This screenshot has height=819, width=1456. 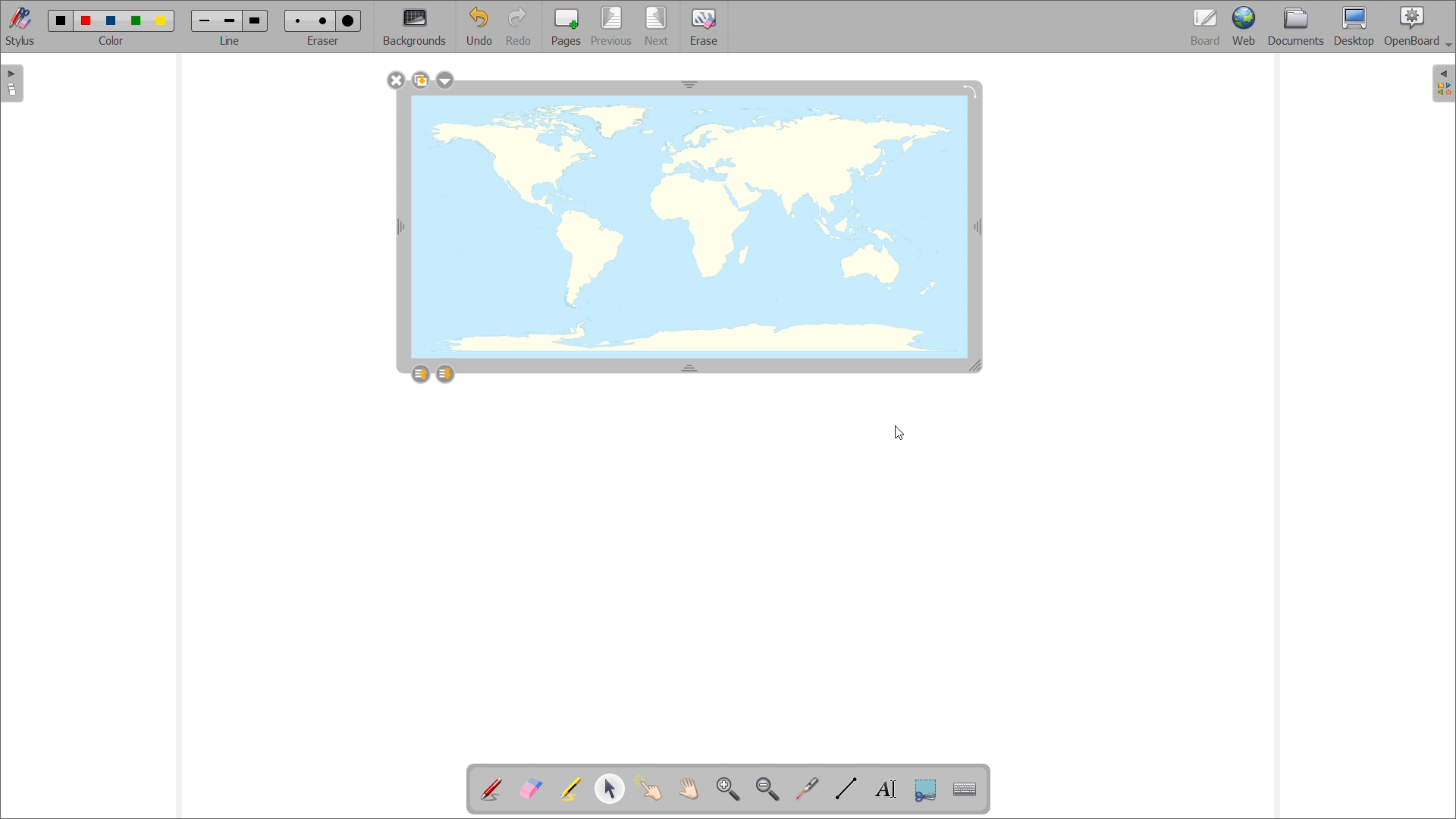 I want to click on large, so click(x=349, y=20).